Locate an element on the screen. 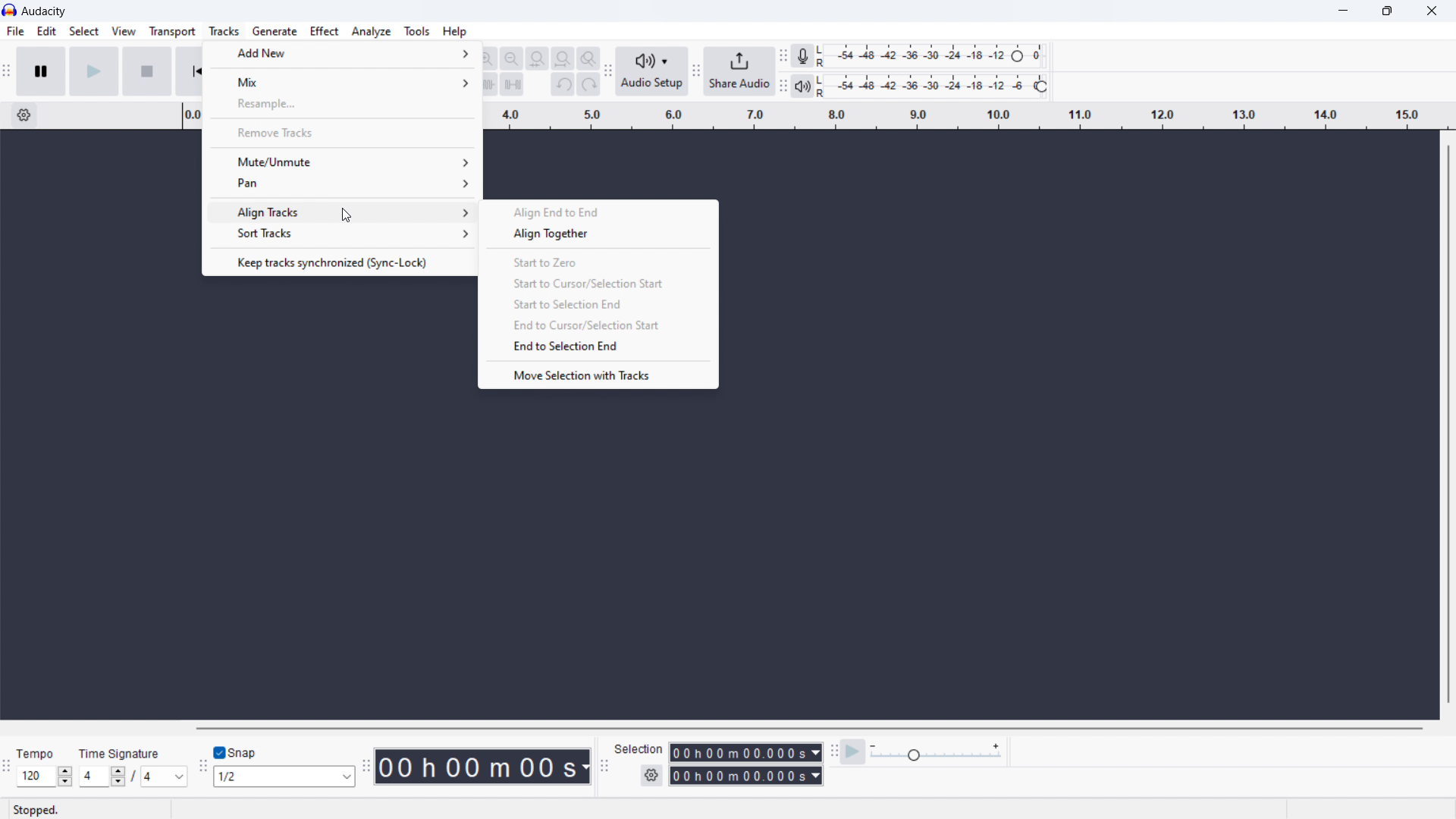 The width and height of the screenshot is (1456, 819). generate is located at coordinates (274, 31).